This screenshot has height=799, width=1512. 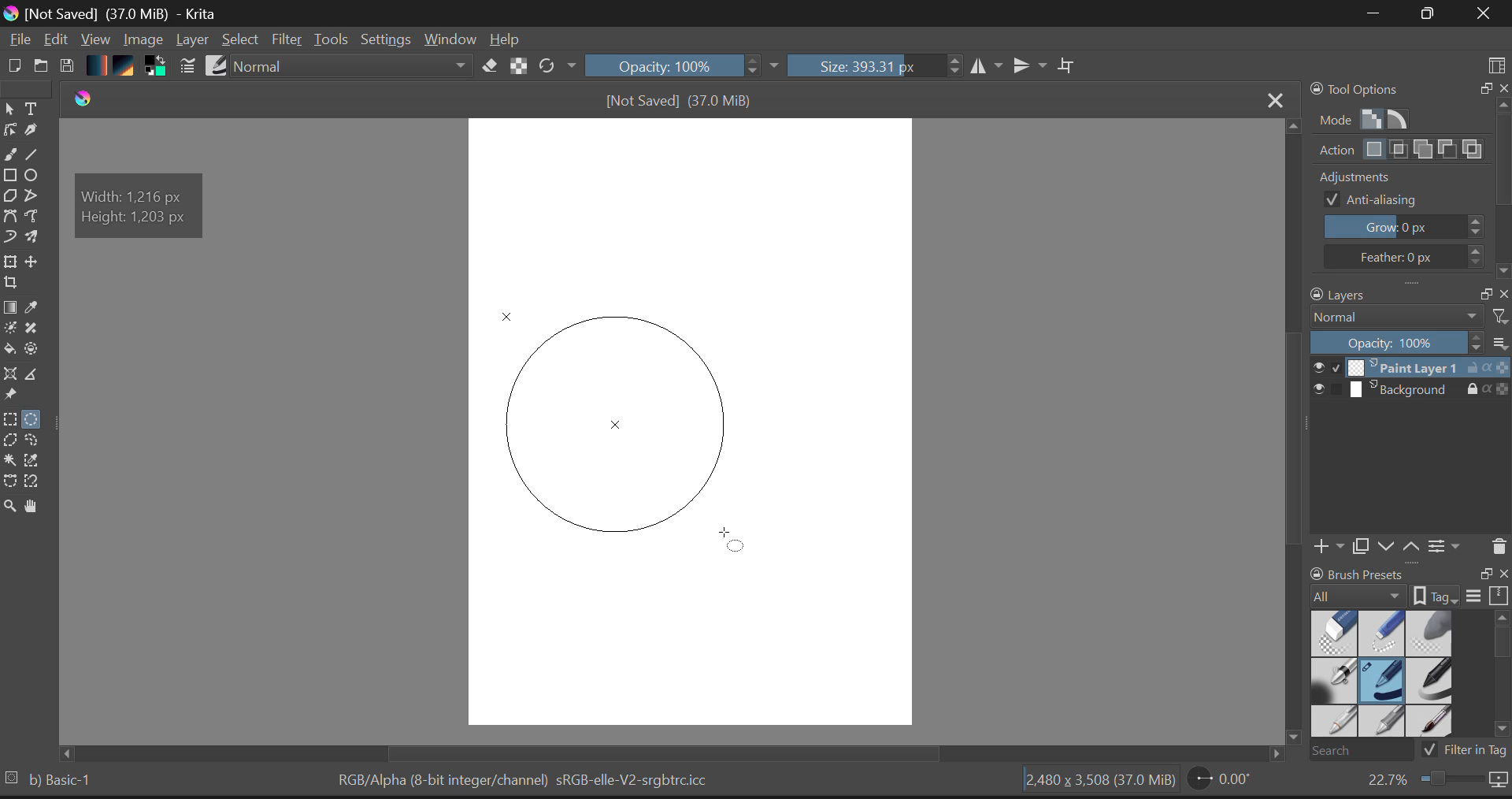 I want to click on Elipses, so click(x=34, y=177).